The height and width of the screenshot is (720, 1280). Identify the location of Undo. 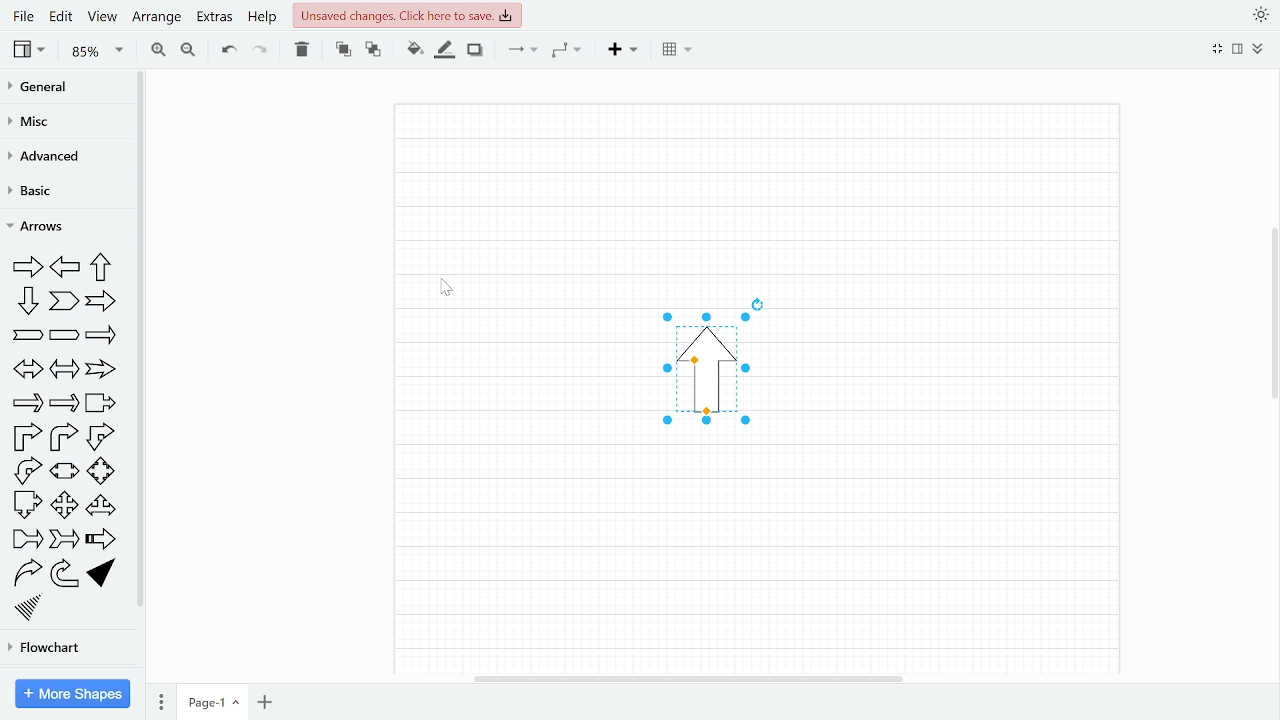
(226, 51).